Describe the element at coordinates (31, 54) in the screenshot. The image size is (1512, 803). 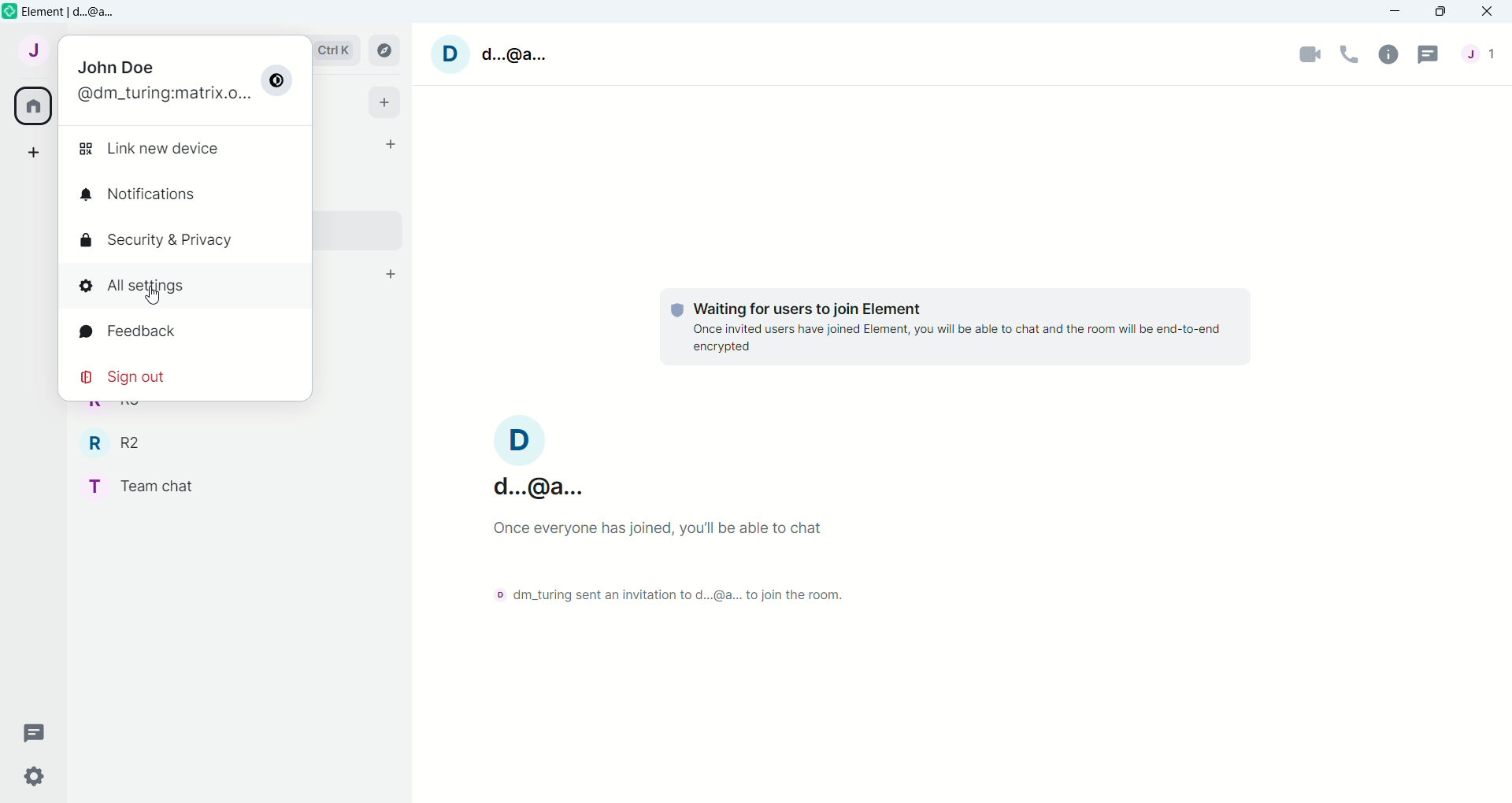
I see `User options` at that location.